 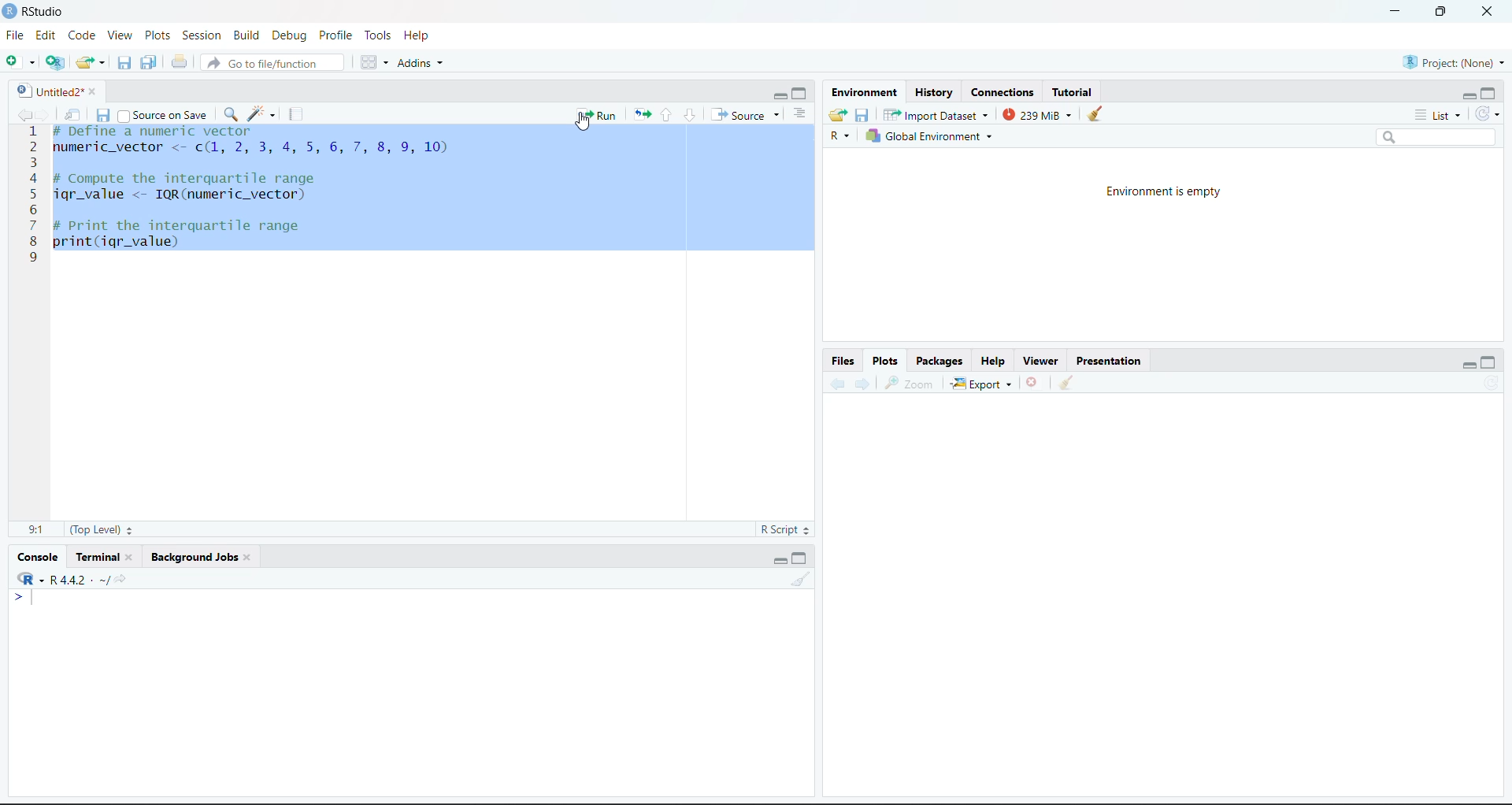 What do you see at coordinates (689, 115) in the screenshot?
I see `Go to next section/chunk (Ctrl + pgDn)` at bounding box center [689, 115].